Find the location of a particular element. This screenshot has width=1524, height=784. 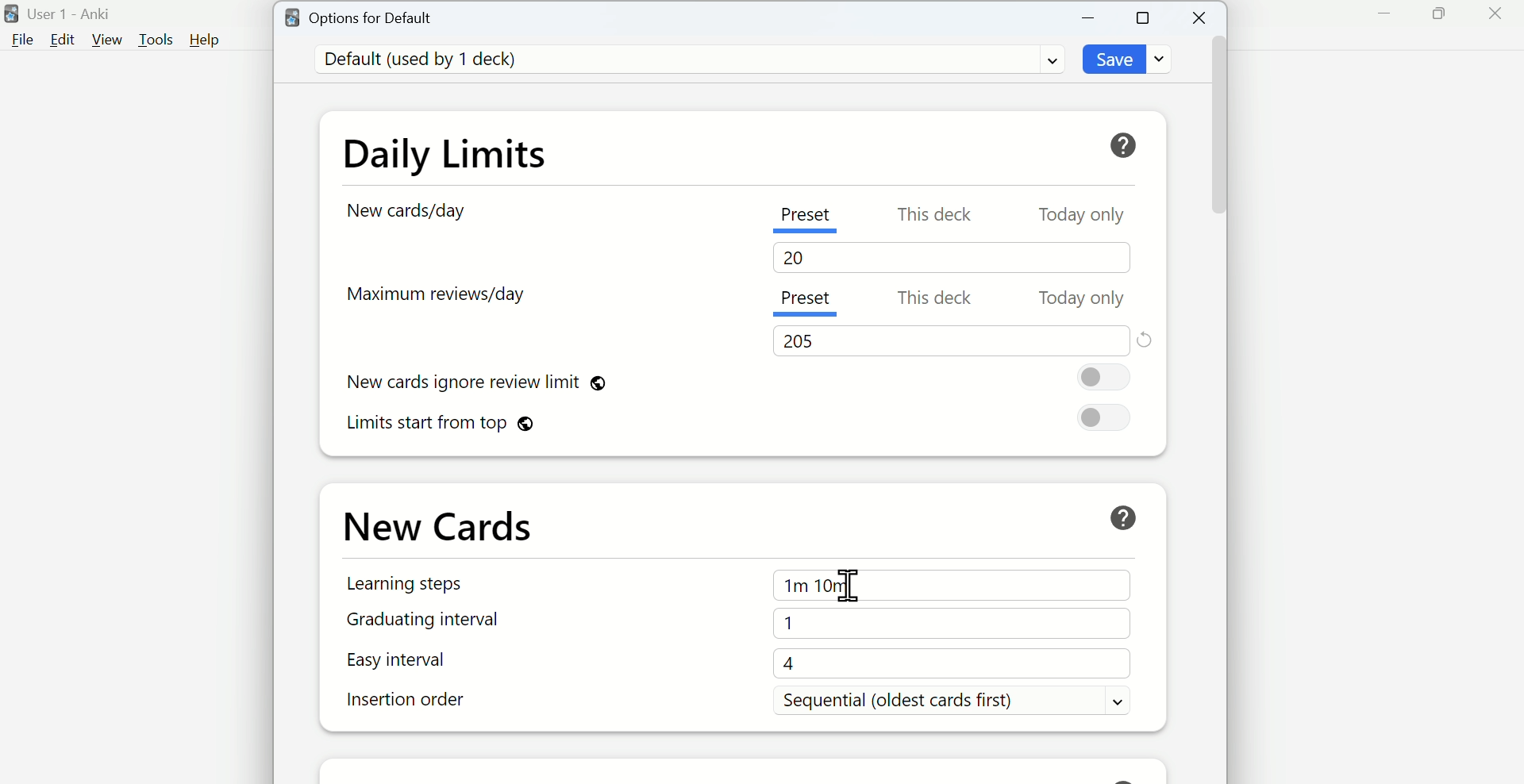

Minimize is located at coordinates (1381, 18).